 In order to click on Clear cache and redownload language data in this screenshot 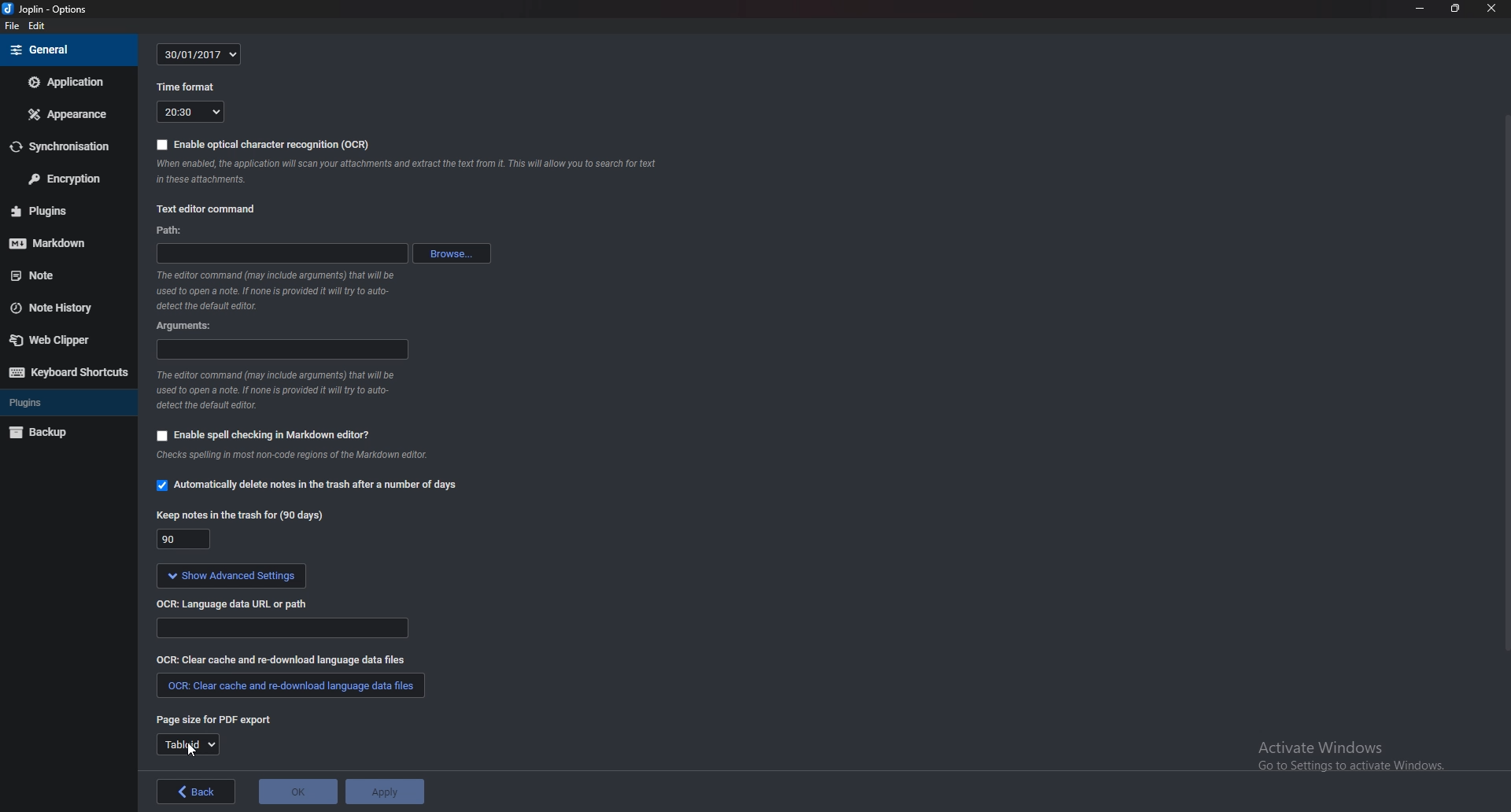, I will do `click(278, 661)`.